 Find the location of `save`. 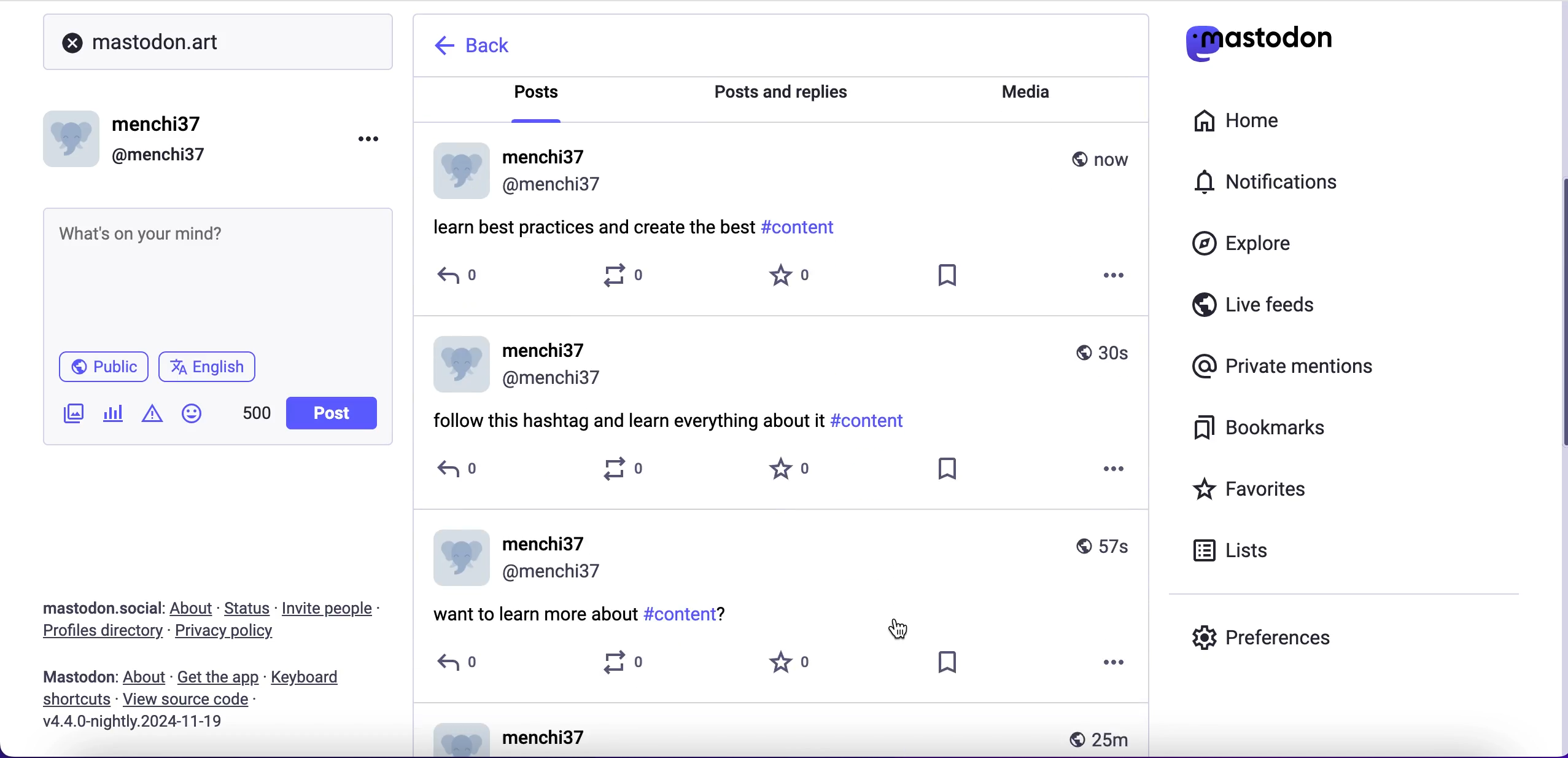

save is located at coordinates (950, 668).